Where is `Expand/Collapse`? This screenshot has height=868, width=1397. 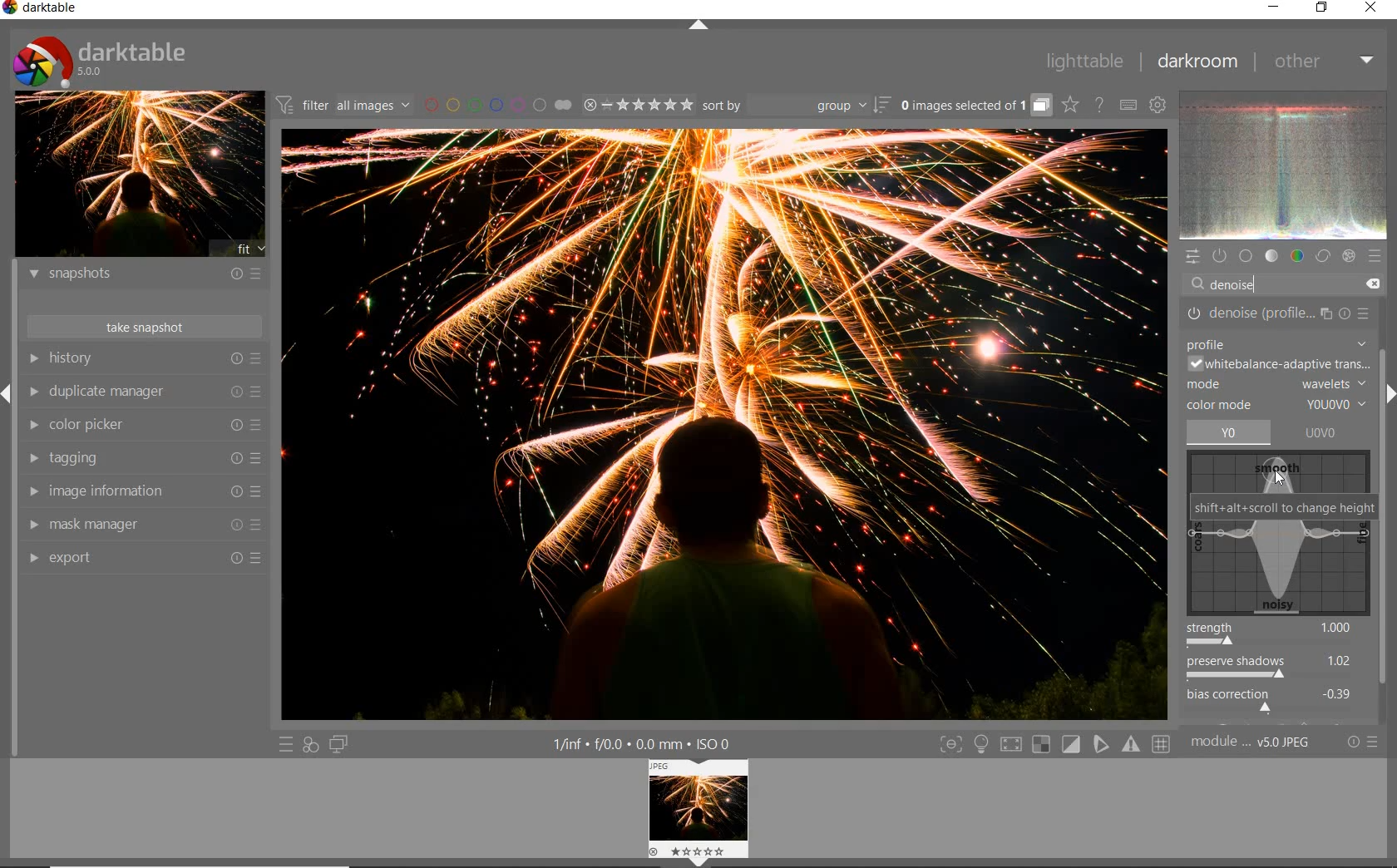
Expand/Collapse is located at coordinates (8, 394).